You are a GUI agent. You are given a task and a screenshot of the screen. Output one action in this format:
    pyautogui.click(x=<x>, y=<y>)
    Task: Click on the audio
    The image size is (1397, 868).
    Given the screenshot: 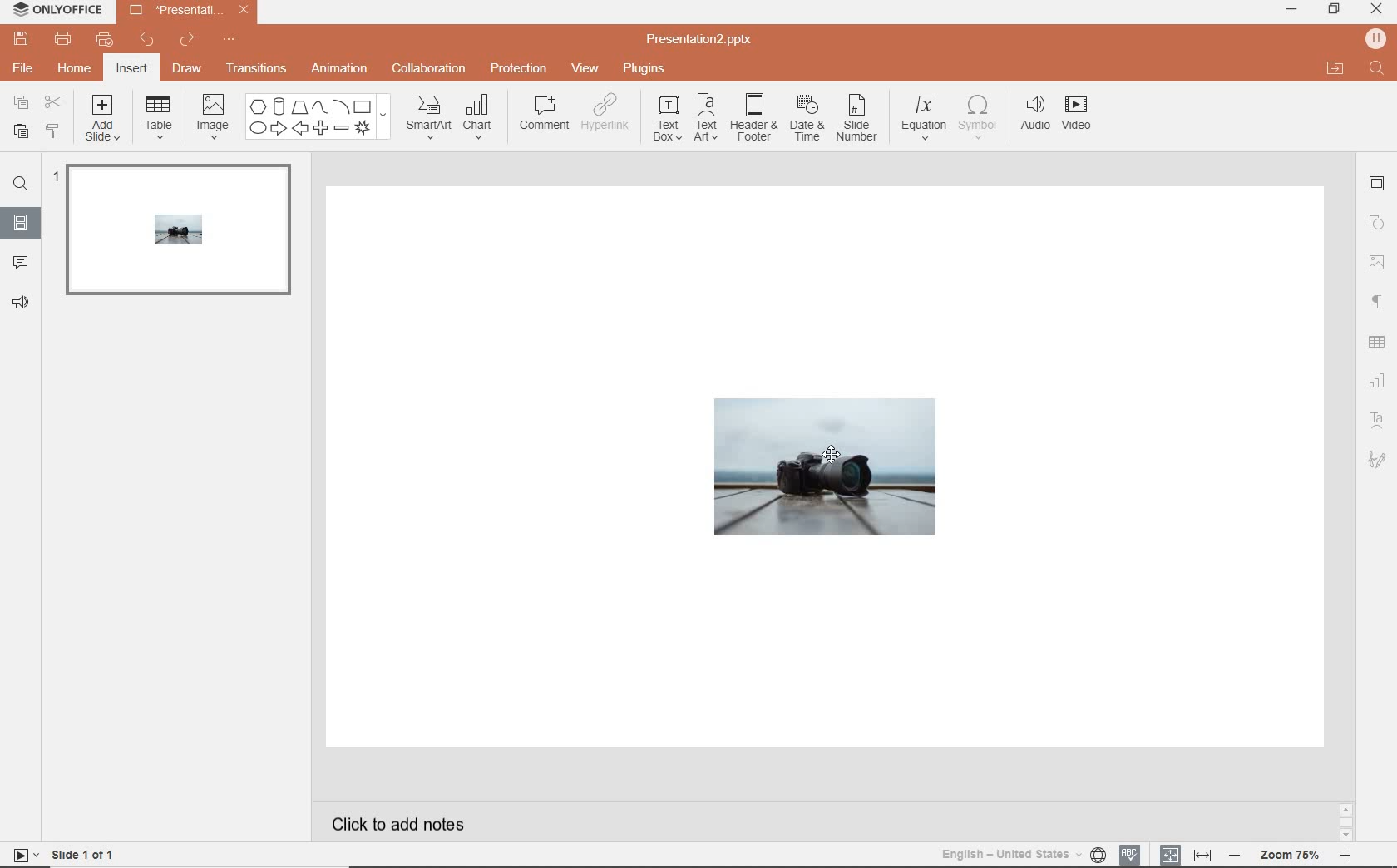 What is the action you would take?
    pyautogui.click(x=1034, y=116)
    